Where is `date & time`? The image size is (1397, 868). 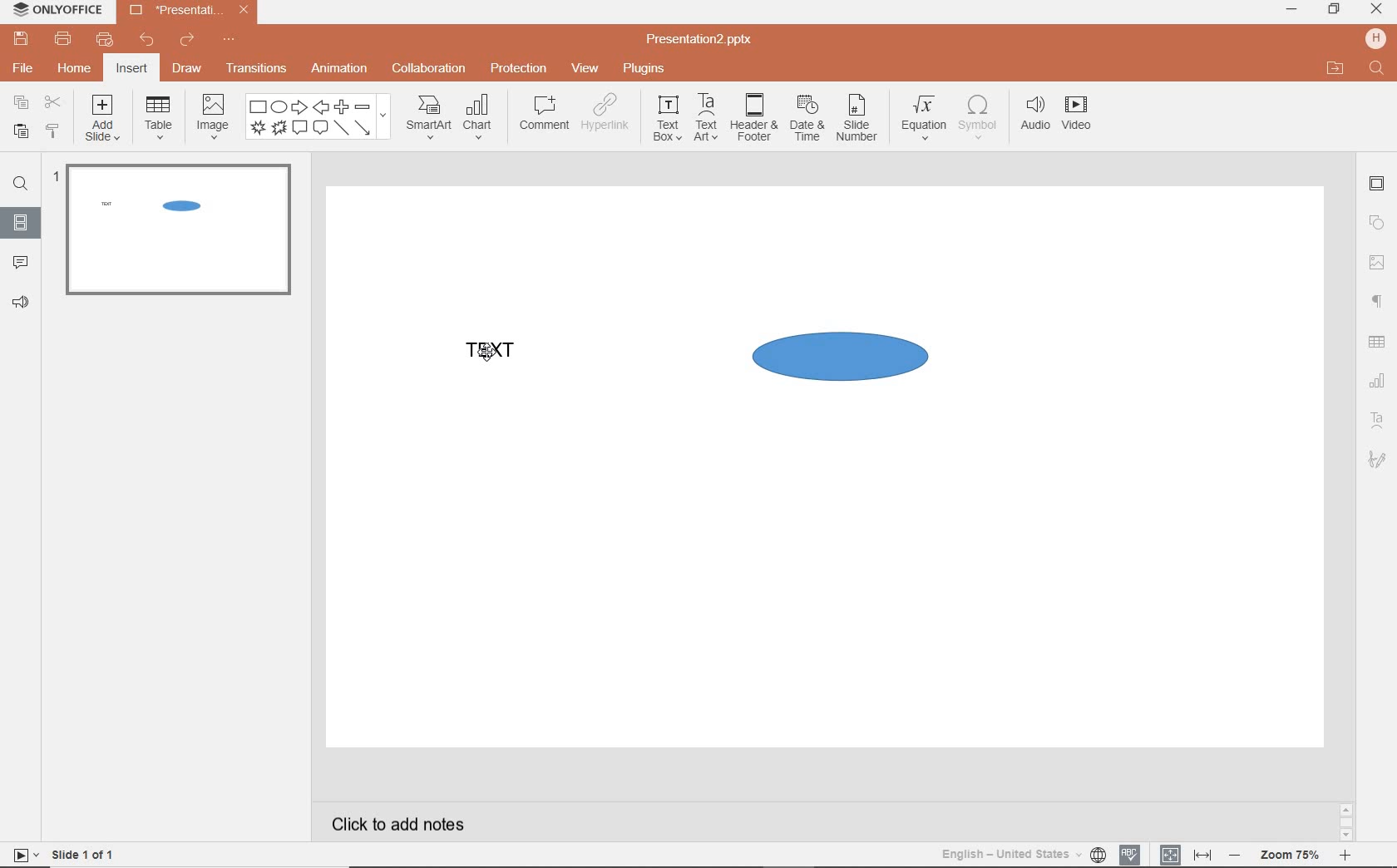 date & time is located at coordinates (805, 122).